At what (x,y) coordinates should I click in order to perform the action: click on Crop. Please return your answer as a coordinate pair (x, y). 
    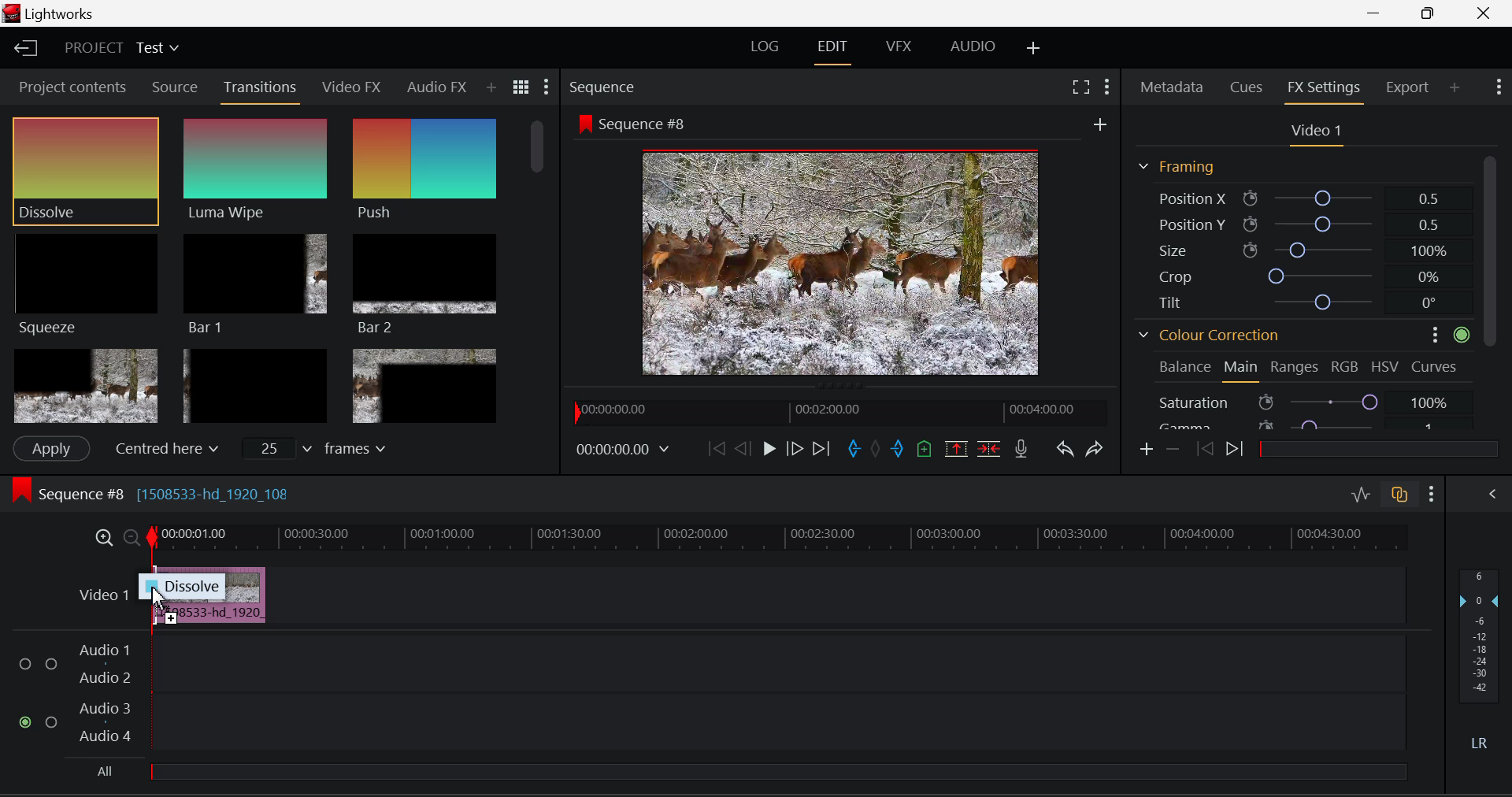
    Looking at the image, I should click on (1296, 275).